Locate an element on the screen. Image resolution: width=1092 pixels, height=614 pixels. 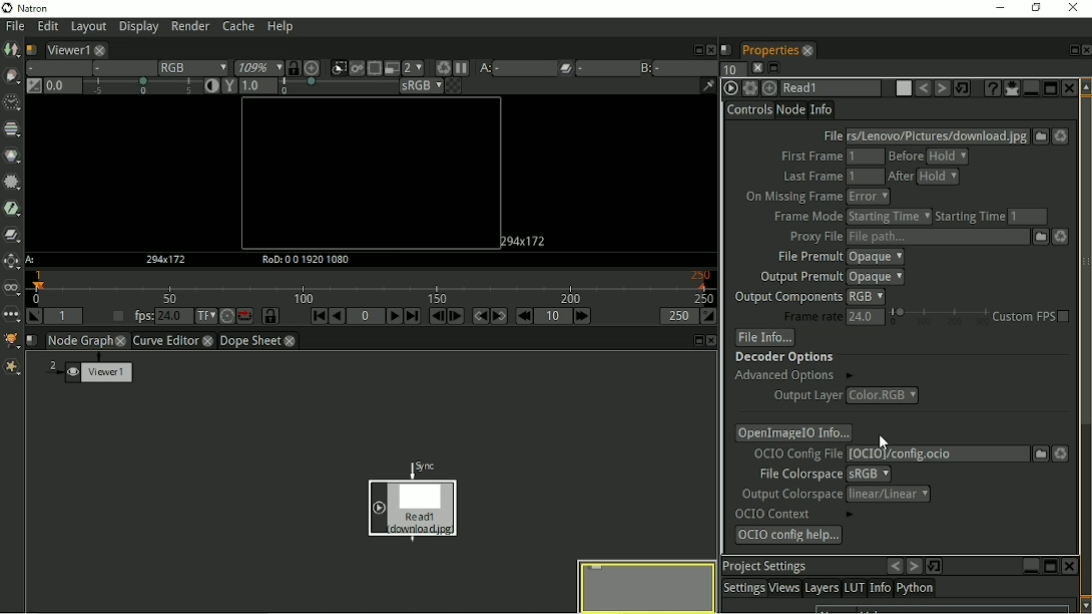
Output components is located at coordinates (807, 296).